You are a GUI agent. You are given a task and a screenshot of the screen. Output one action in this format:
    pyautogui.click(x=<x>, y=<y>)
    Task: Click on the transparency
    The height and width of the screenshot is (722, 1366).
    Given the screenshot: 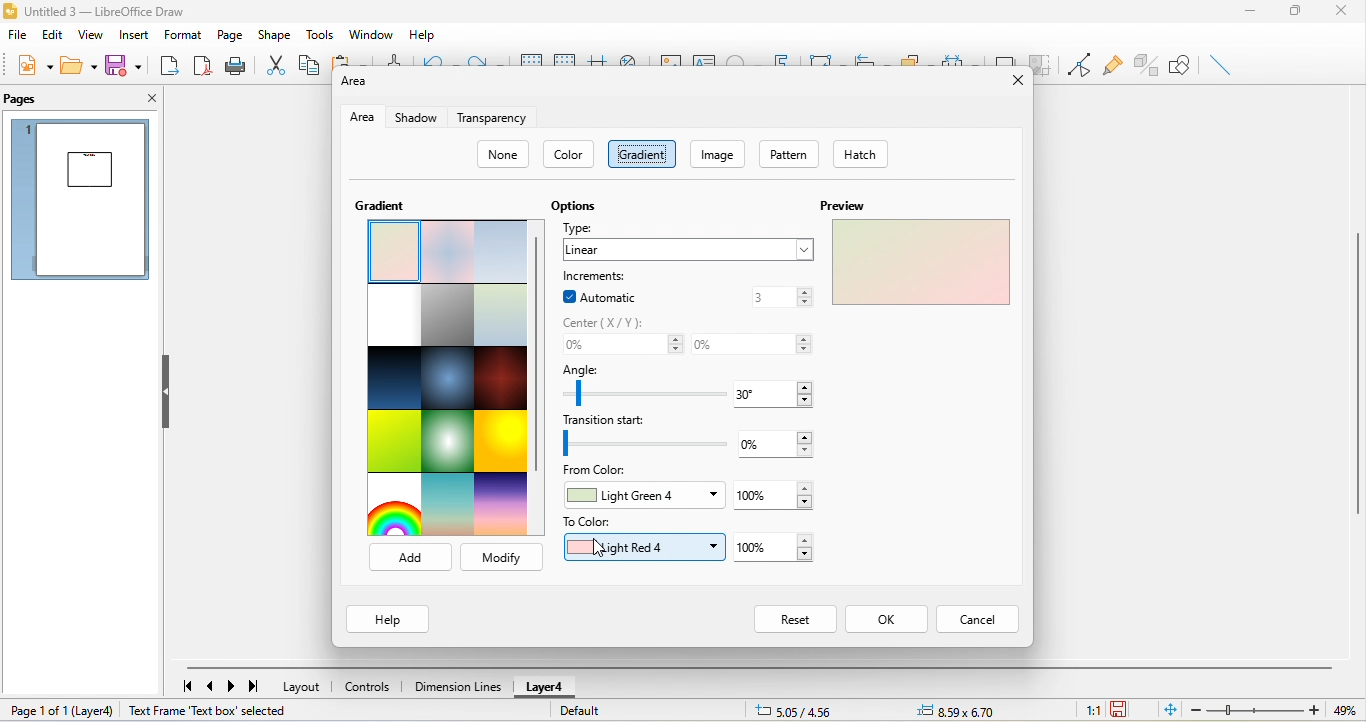 What is the action you would take?
    pyautogui.click(x=496, y=117)
    